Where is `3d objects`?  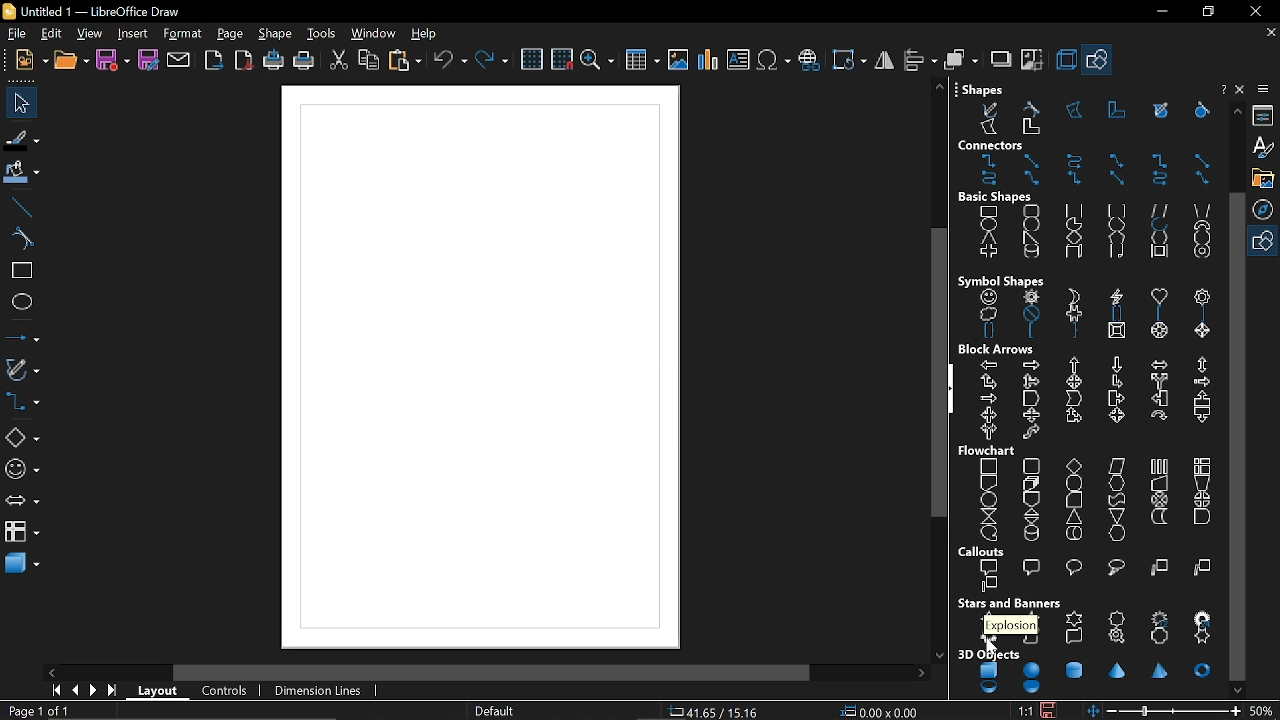
3d objects is located at coordinates (1086, 673).